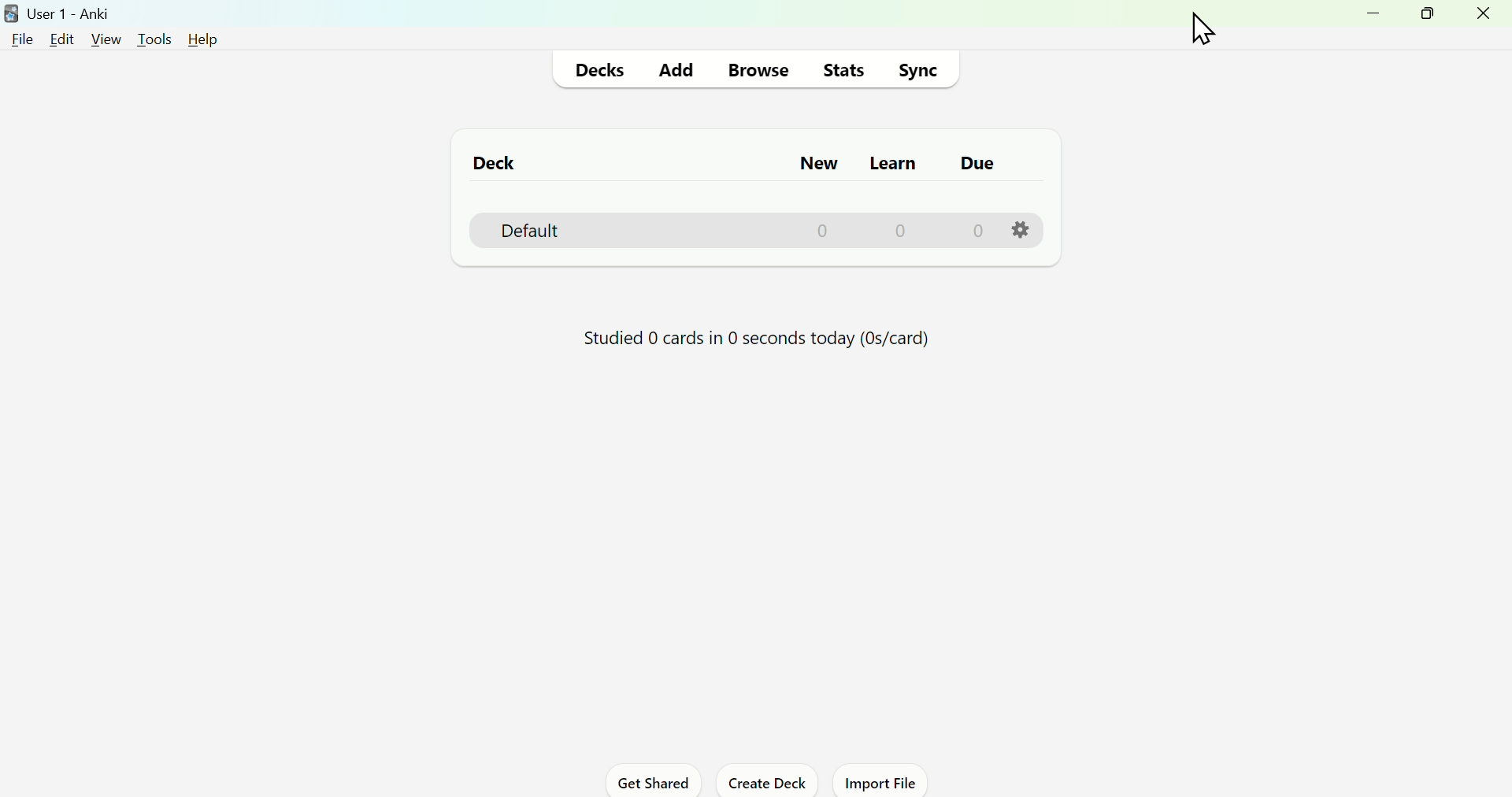 The width and height of the screenshot is (1512, 797). What do you see at coordinates (883, 783) in the screenshot?
I see `Import` at bounding box center [883, 783].